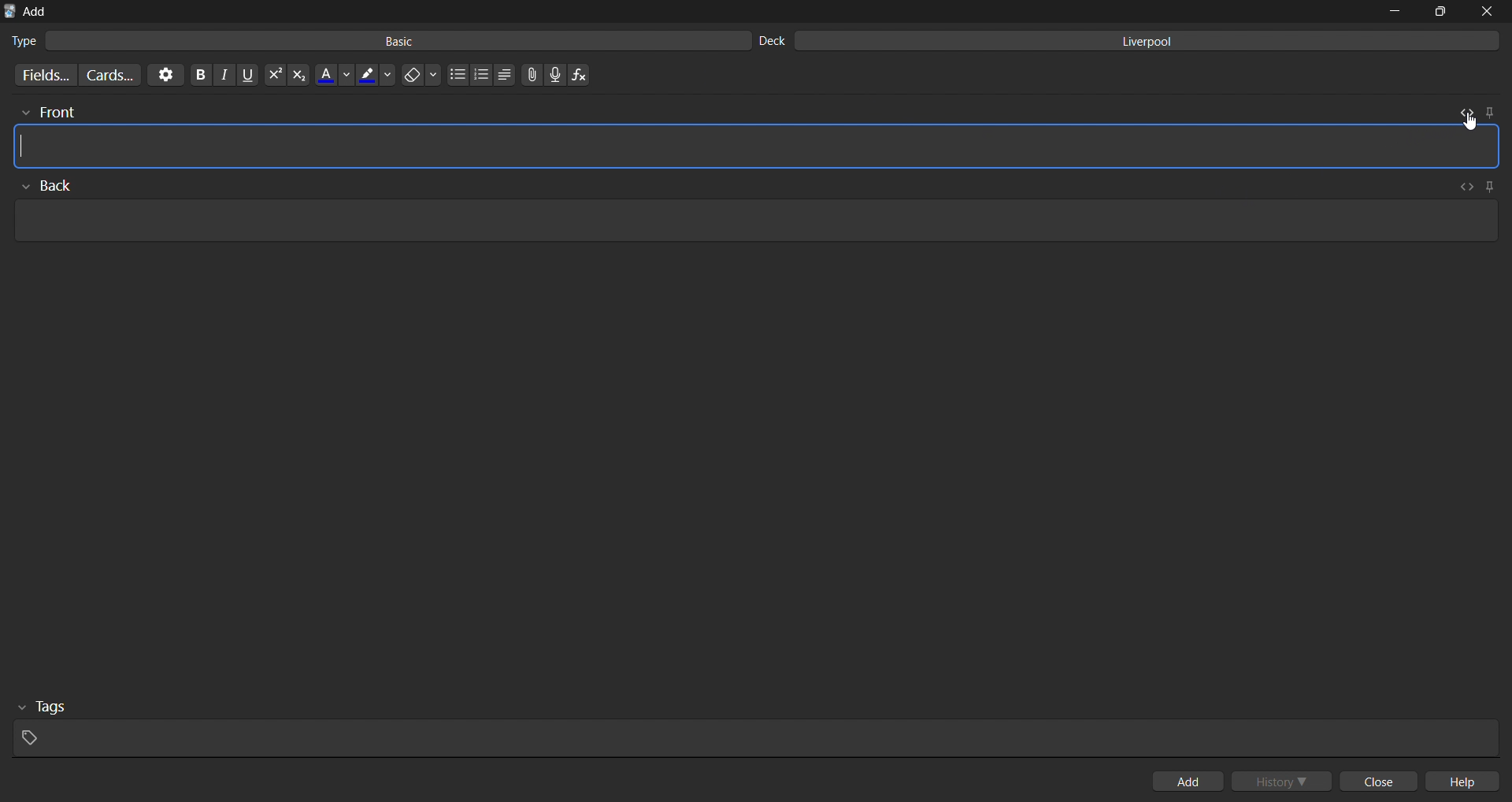 This screenshot has width=1512, height=802. Describe the element at coordinates (46, 113) in the screenshot. I see `front ` at that location.